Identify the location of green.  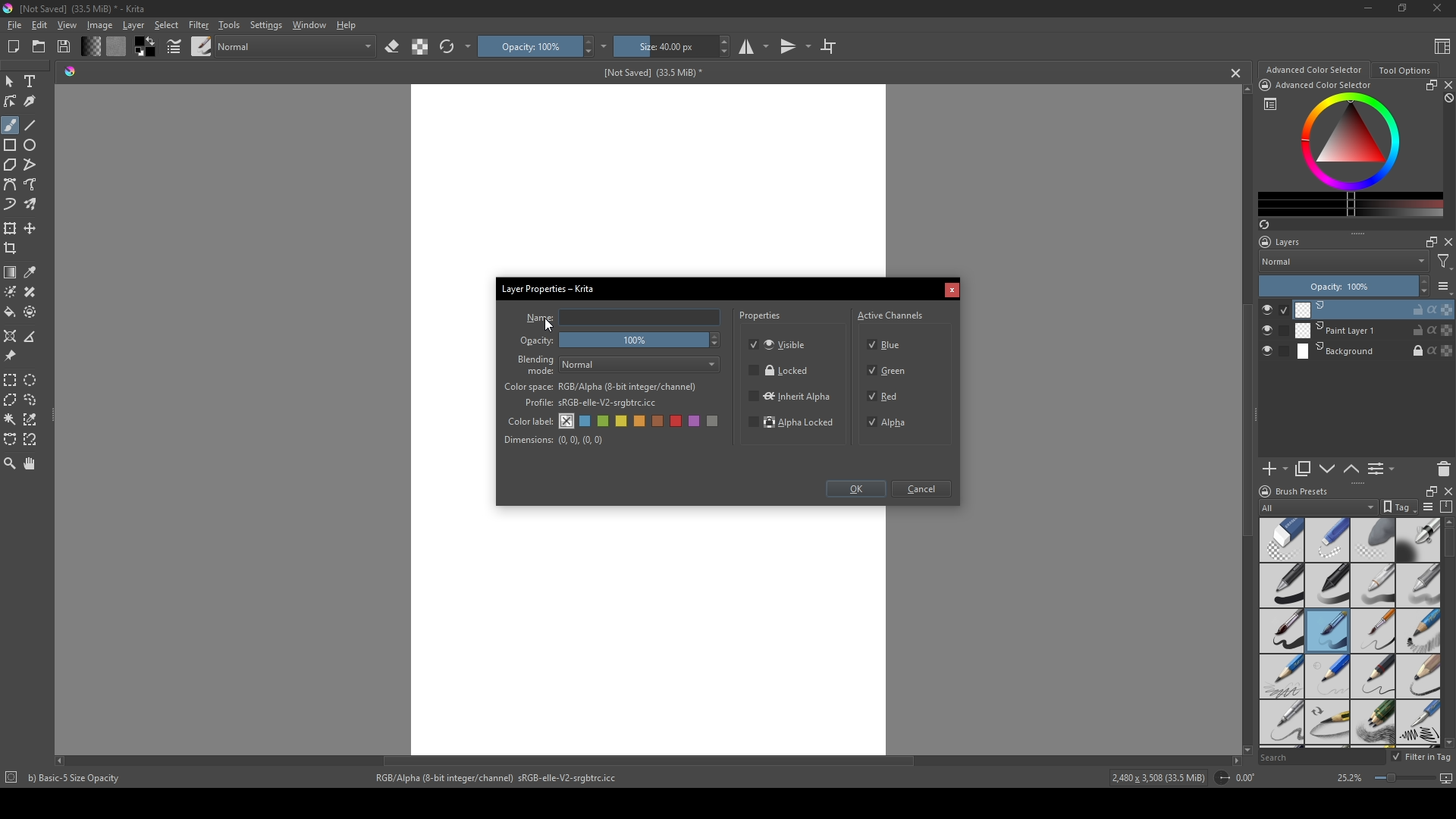
(604, 422).